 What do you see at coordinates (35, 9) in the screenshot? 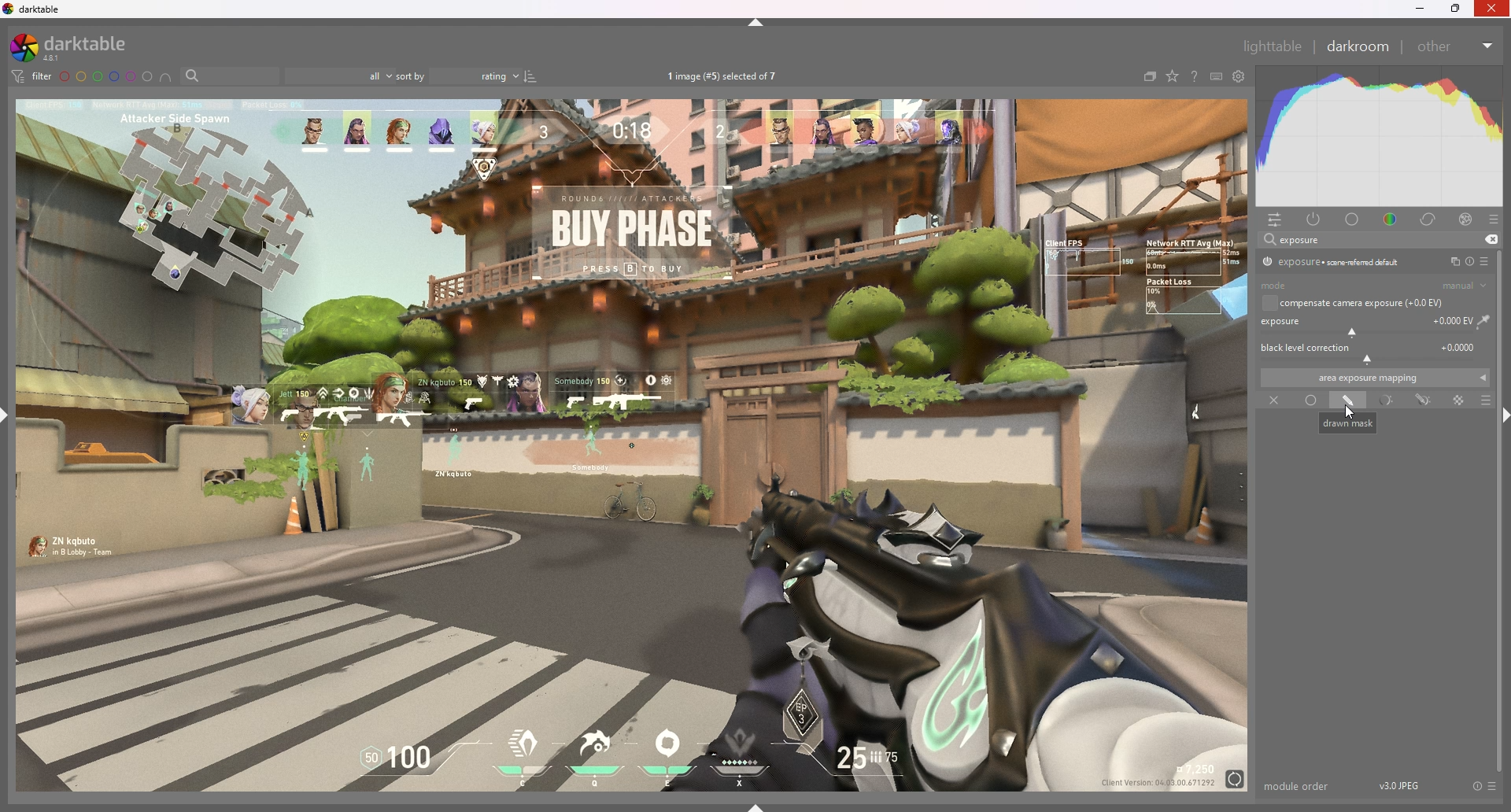
I see `darktable` at bounding box center [35, 9].